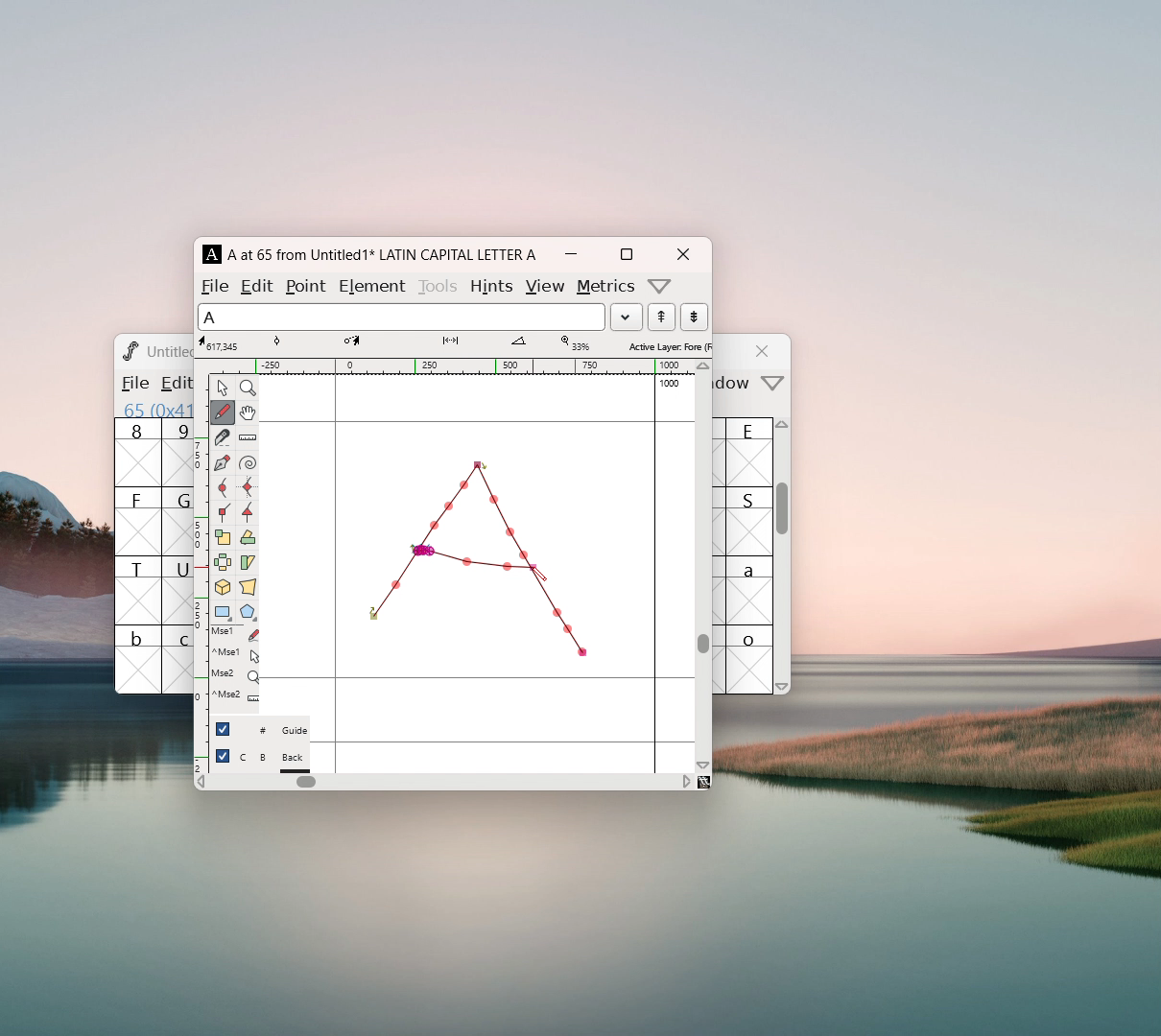 This screenshot has width=1161, height=1036. I want to click on 1000, so click(672, 384).